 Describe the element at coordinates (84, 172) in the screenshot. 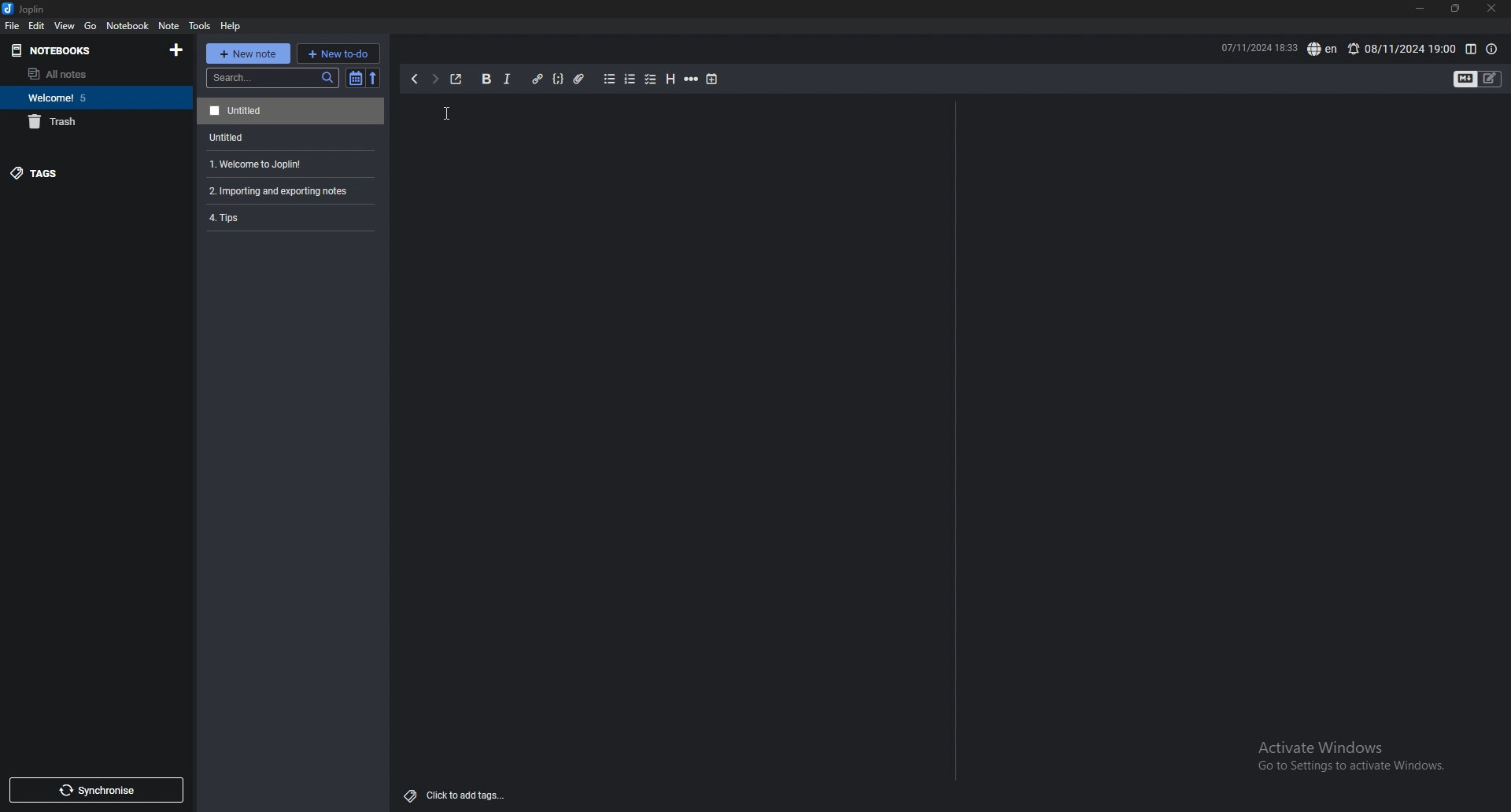

I see `tags` at that location.